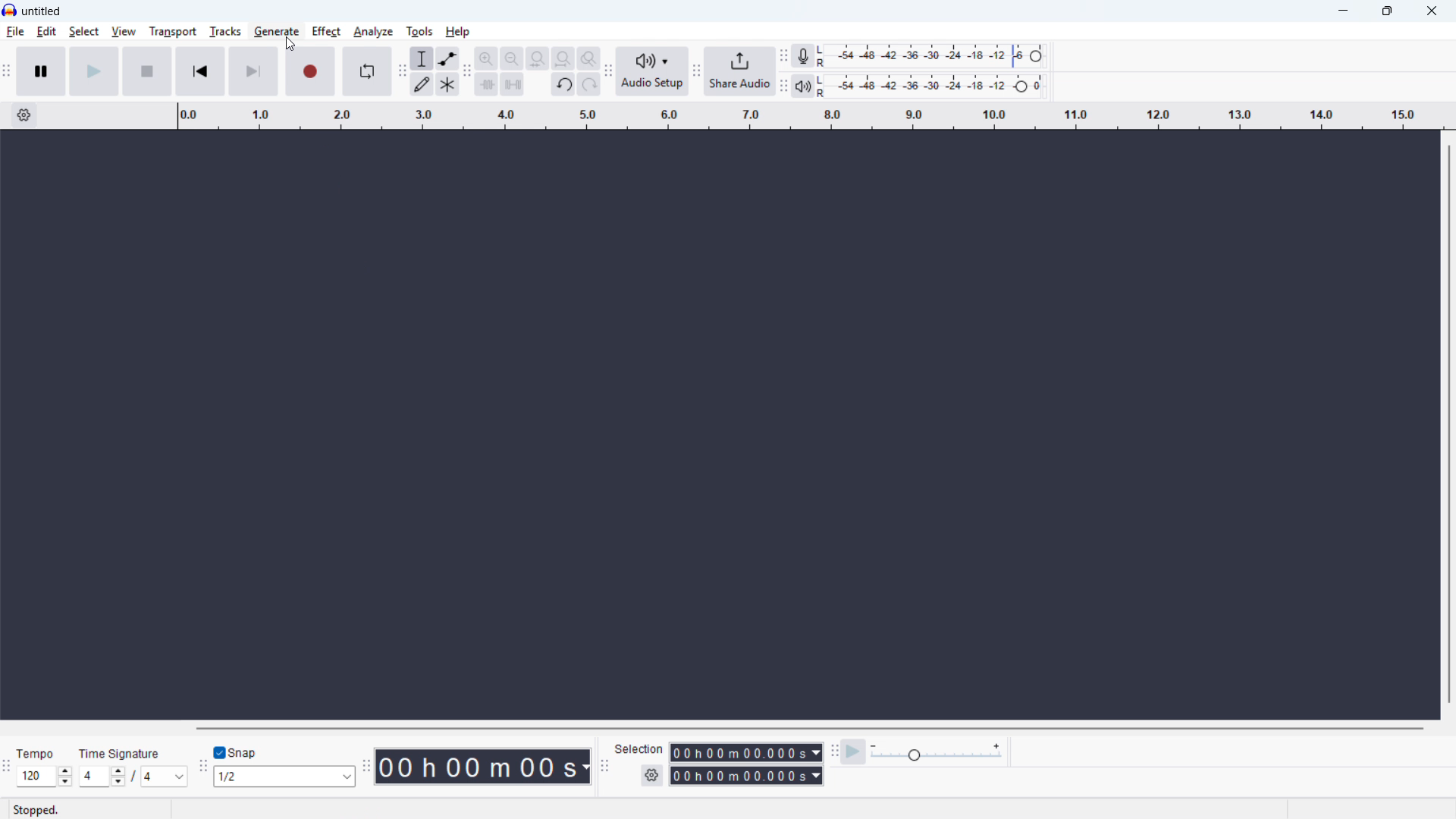  What do you see at coordinates (276, 31) in the screenshot?
I see `Generate ` at bounding box center [276, 31].